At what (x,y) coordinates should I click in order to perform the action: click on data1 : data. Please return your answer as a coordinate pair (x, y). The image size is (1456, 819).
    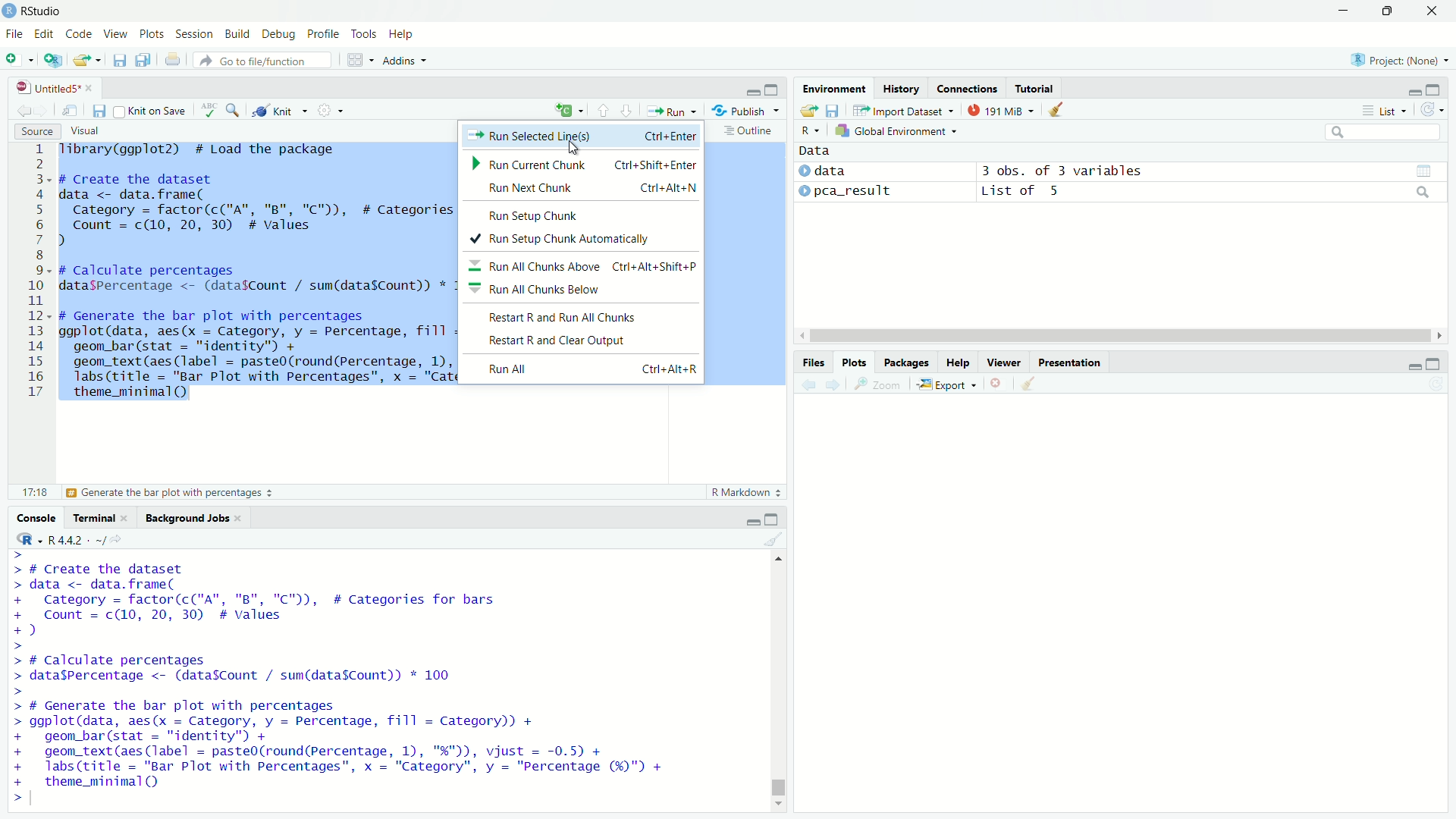
    Looking at the image, I should click on (856, 171).